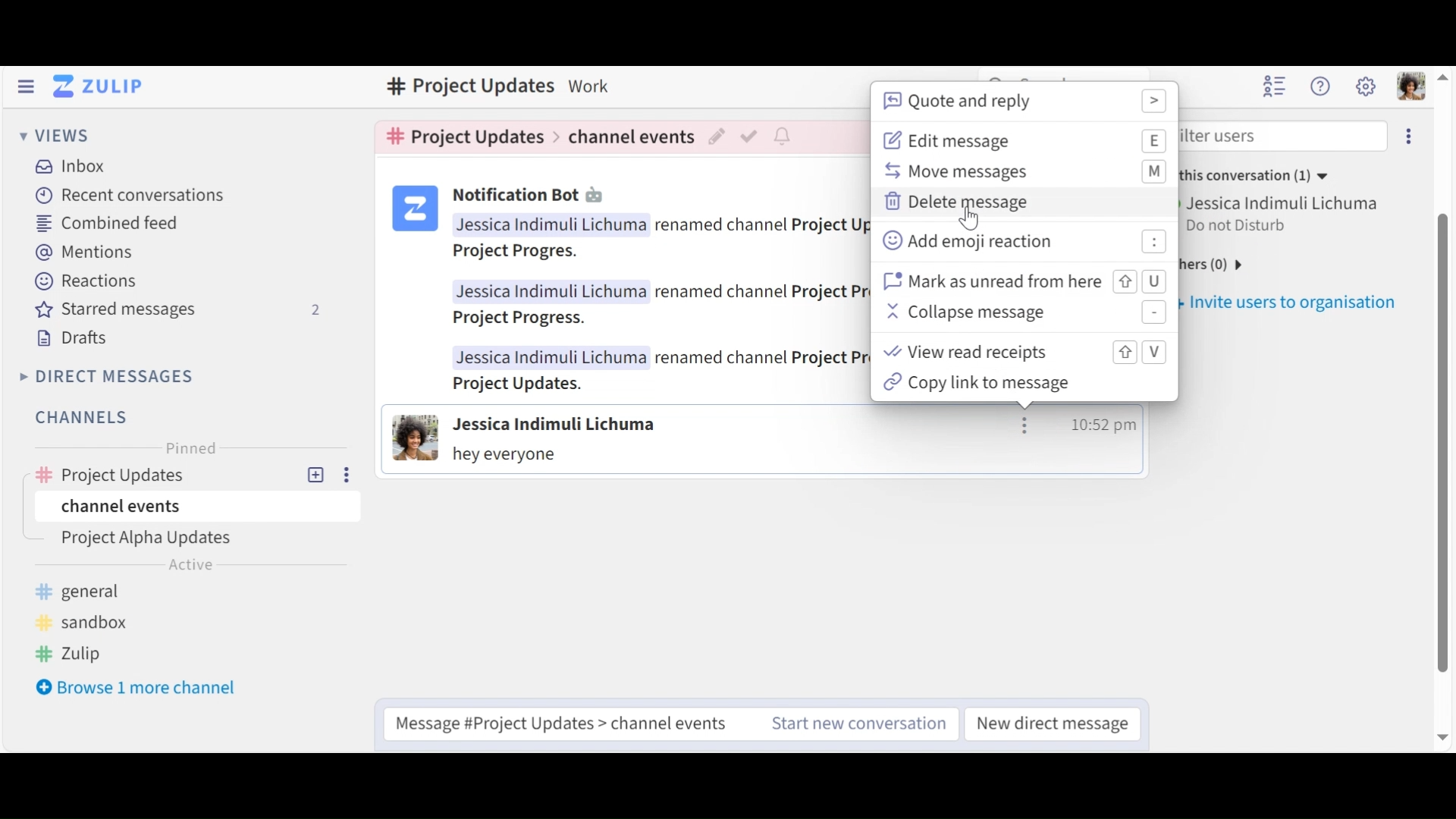 The height and width of the screenshot is (819, 1456). Describe the element at coordinates (87, 620) in the screenshot. I see `sandbox` at that location.